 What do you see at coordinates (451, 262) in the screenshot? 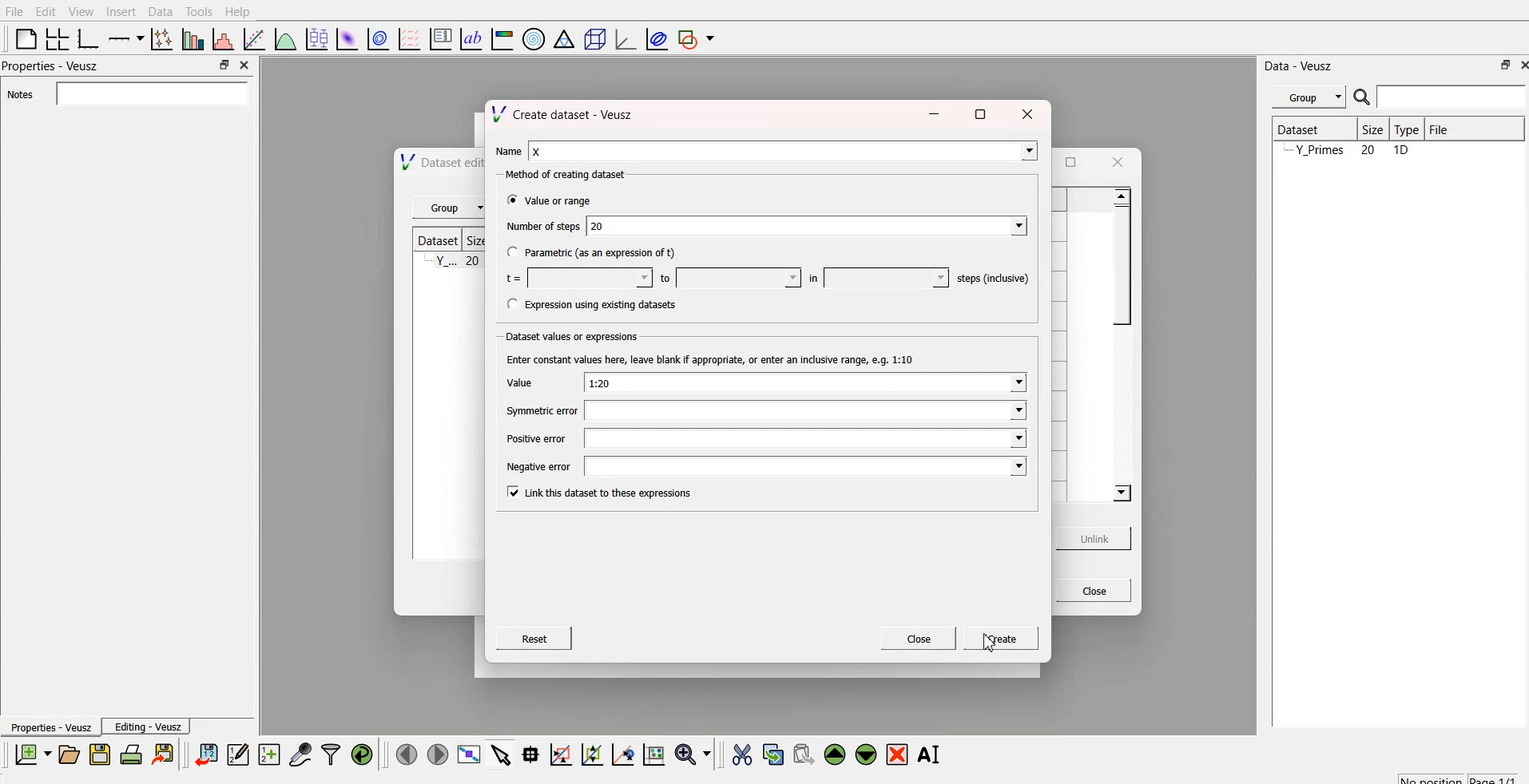
I see `Y.. 28` at bounding box center [451, 262].